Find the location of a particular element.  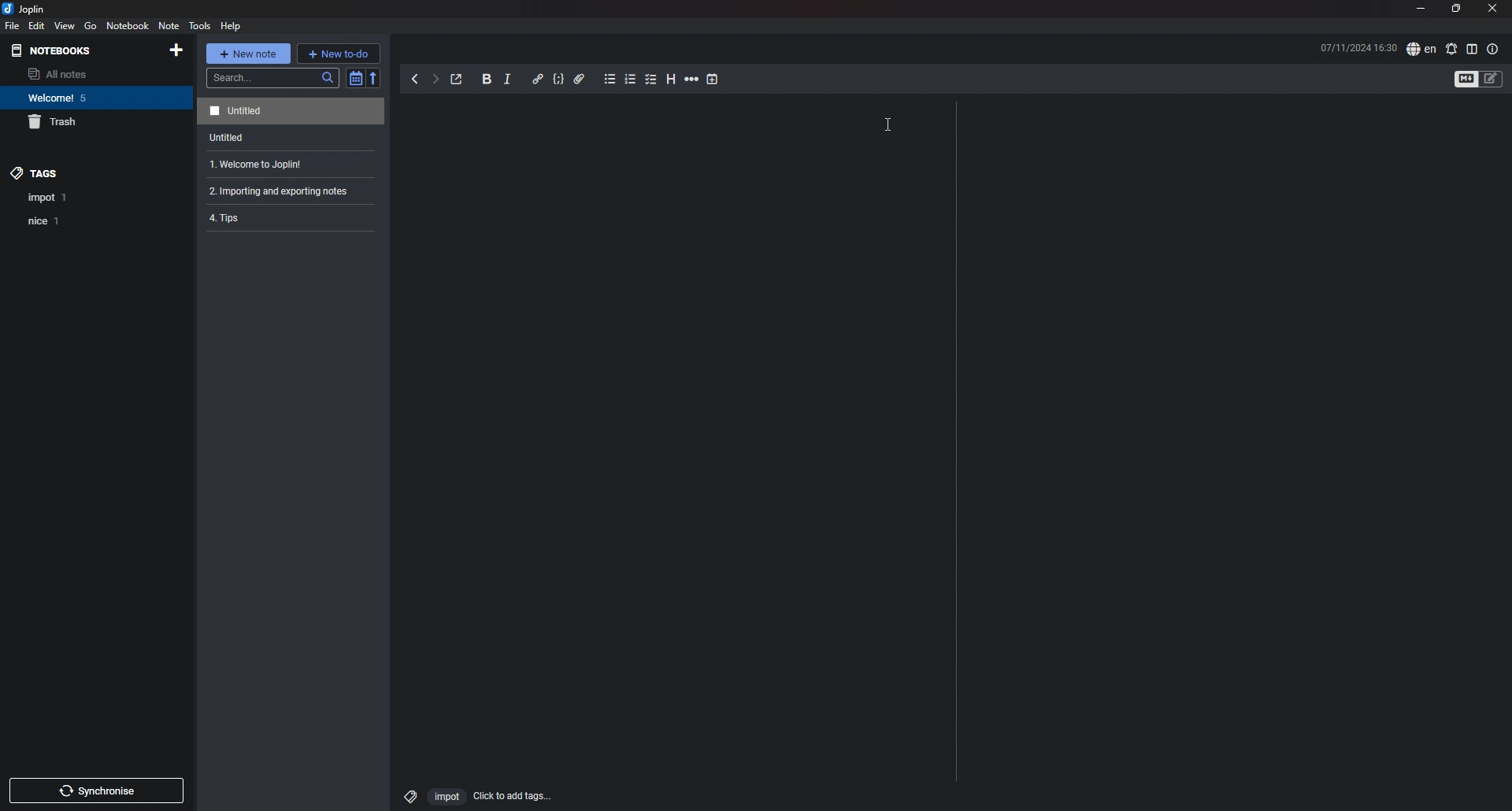

cursor is located at coordinates (886, 126).